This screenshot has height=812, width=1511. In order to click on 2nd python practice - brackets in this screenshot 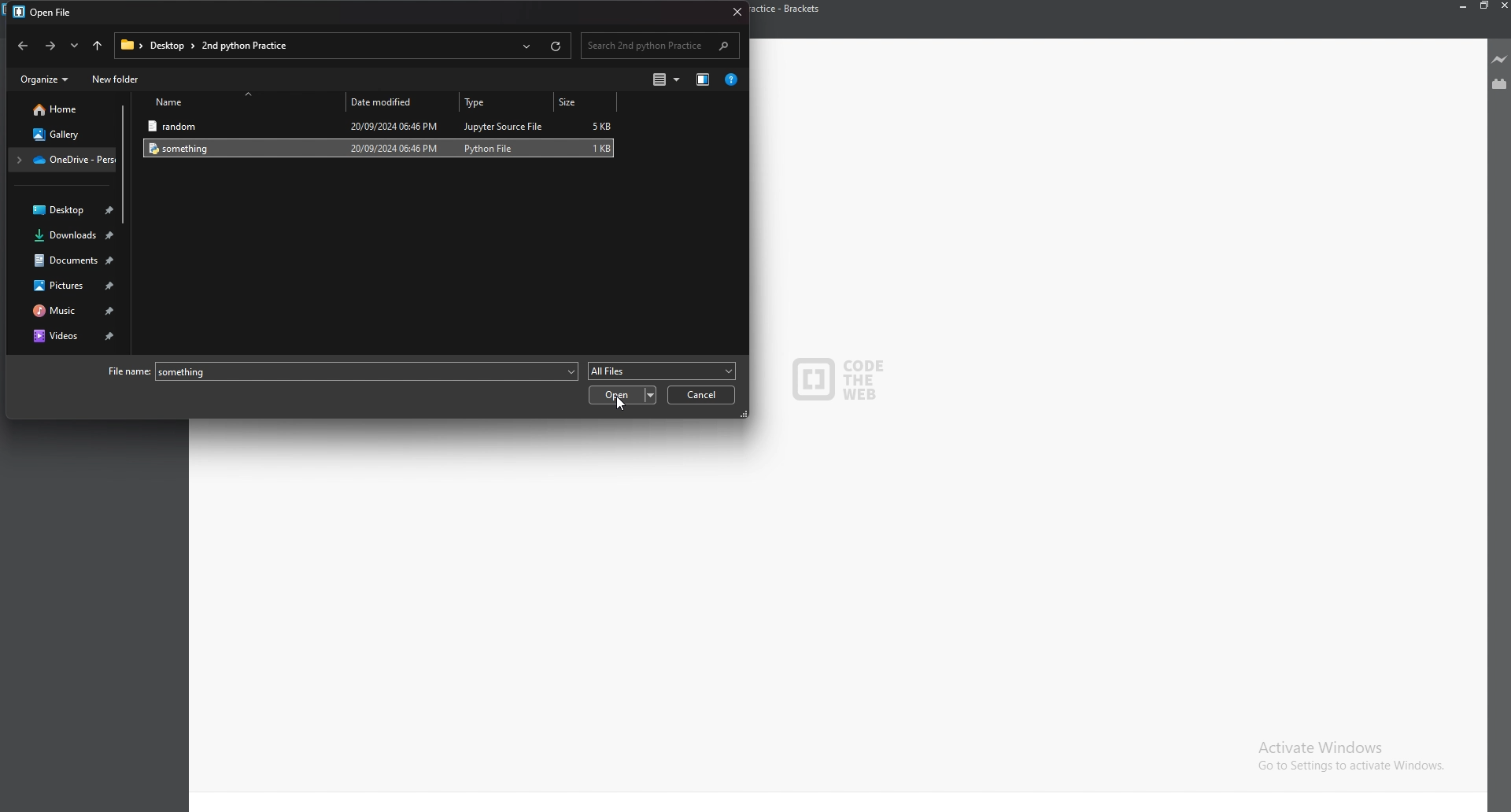, I will do `click(793, 9)`.